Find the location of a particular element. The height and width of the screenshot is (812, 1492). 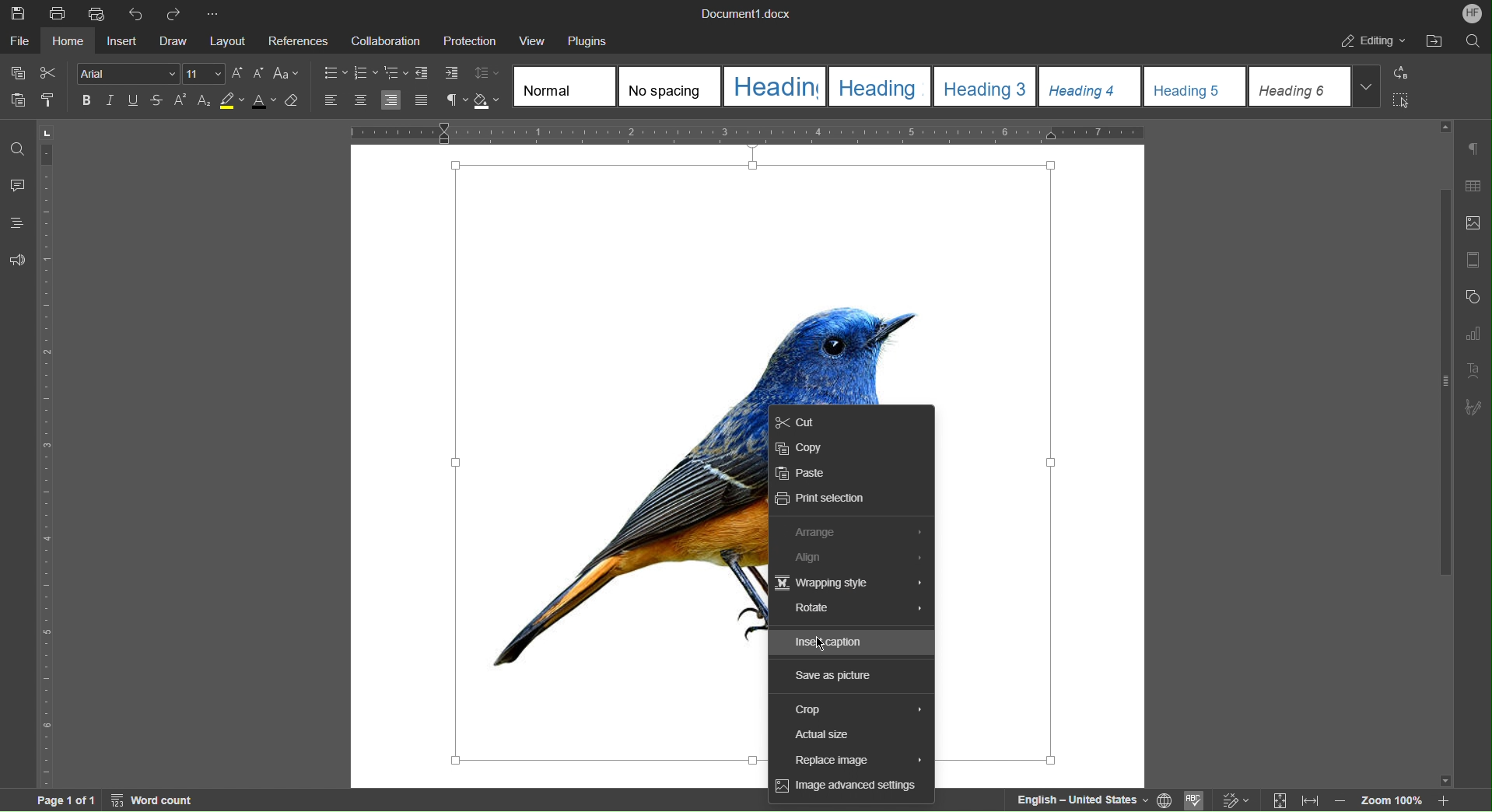

Crop is located at coordinates (852, 709).